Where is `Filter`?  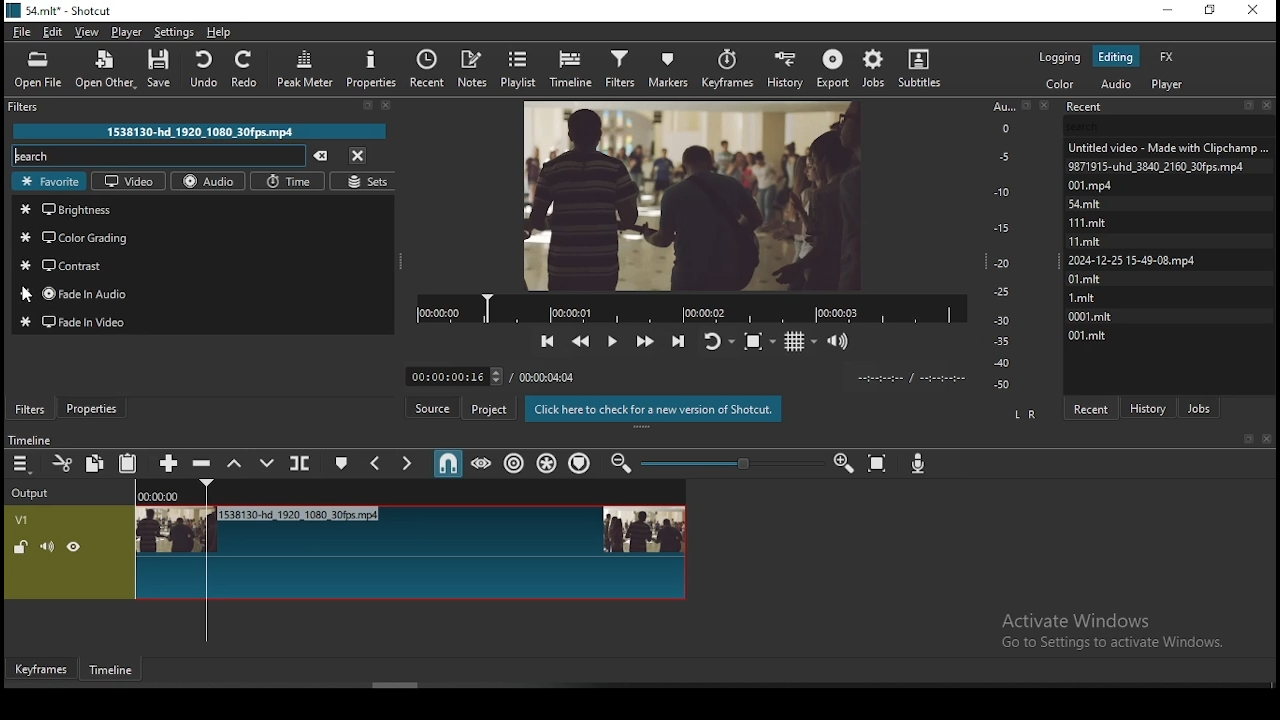 Filter is located at coordinates (202, 109).